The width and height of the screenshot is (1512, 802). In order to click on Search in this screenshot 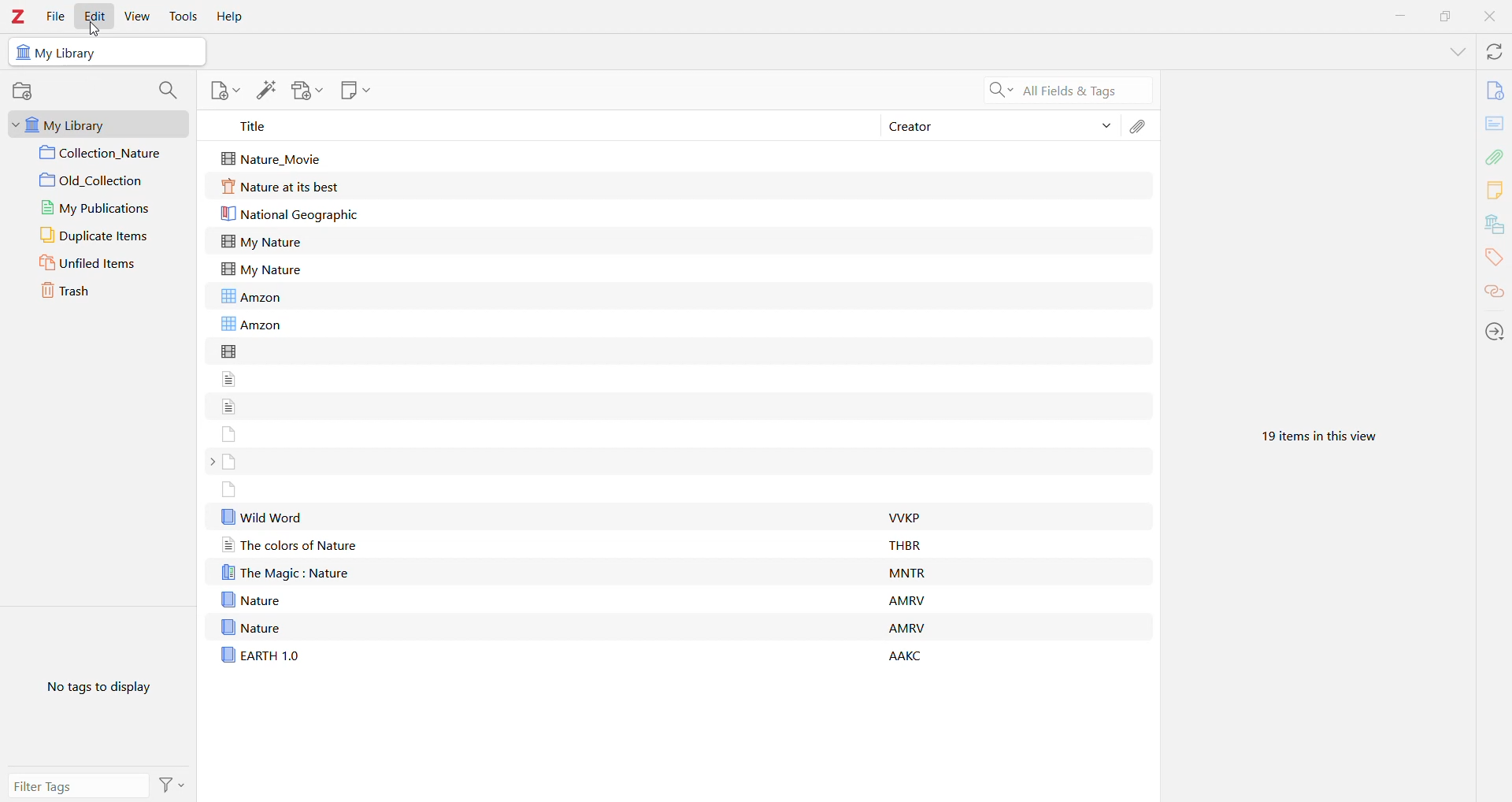, I will do `click(1069, 91)`.